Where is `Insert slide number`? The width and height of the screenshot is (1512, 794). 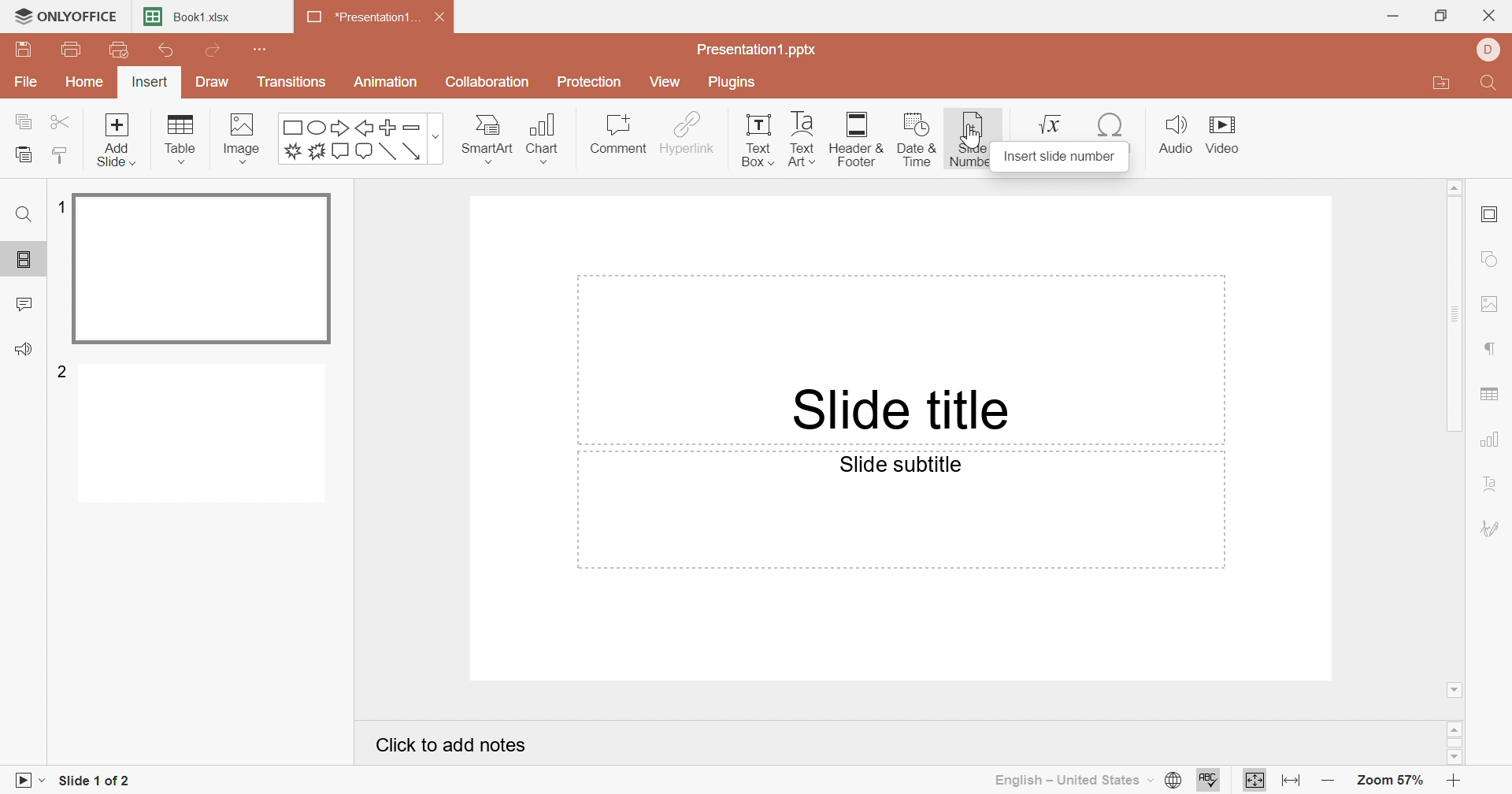
Insert slide number is located at coordinates (1061, 158).